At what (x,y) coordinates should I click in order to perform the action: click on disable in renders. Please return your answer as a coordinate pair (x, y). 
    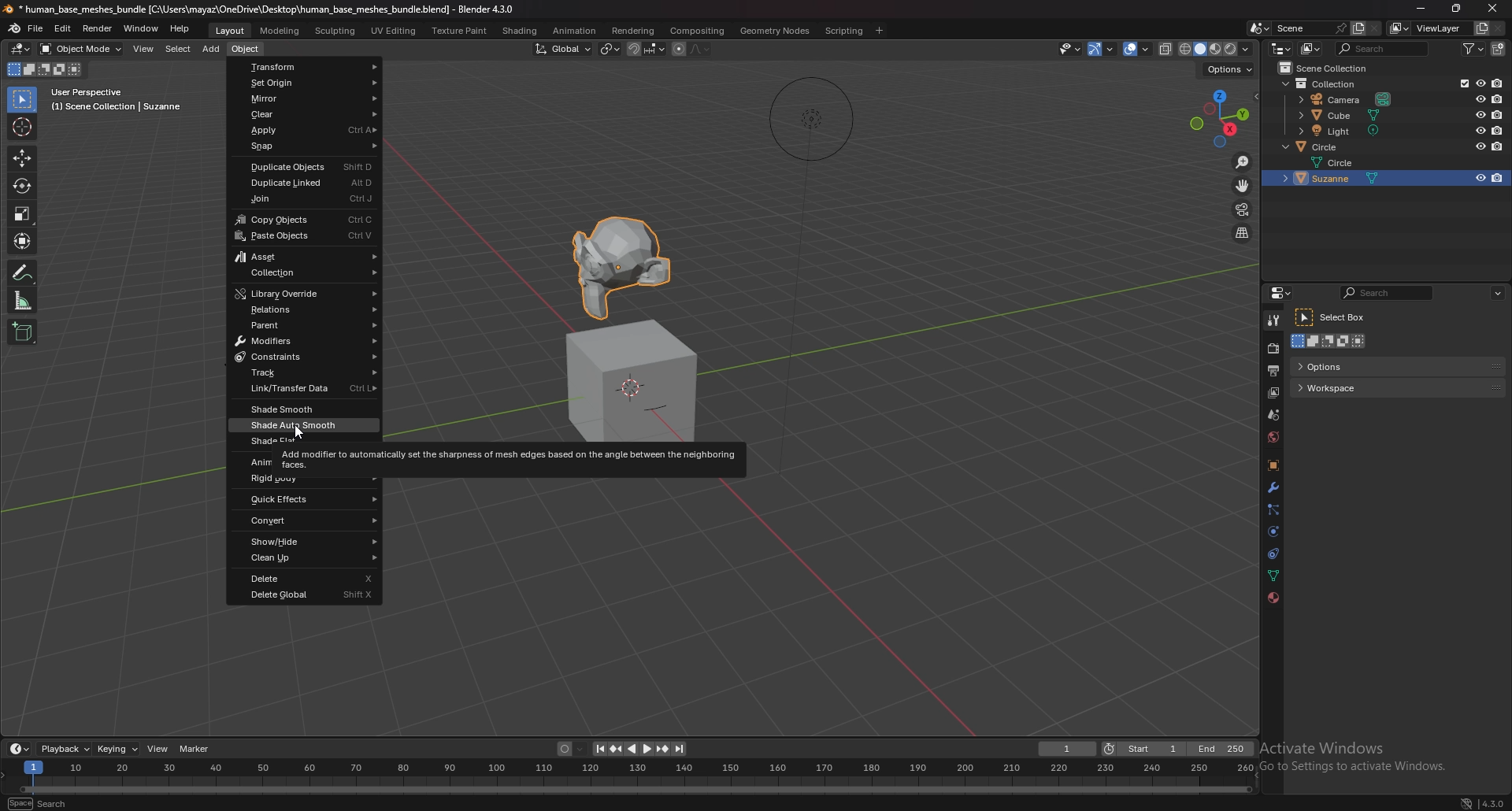
    Looking at the image, I should click on (1496, 146).